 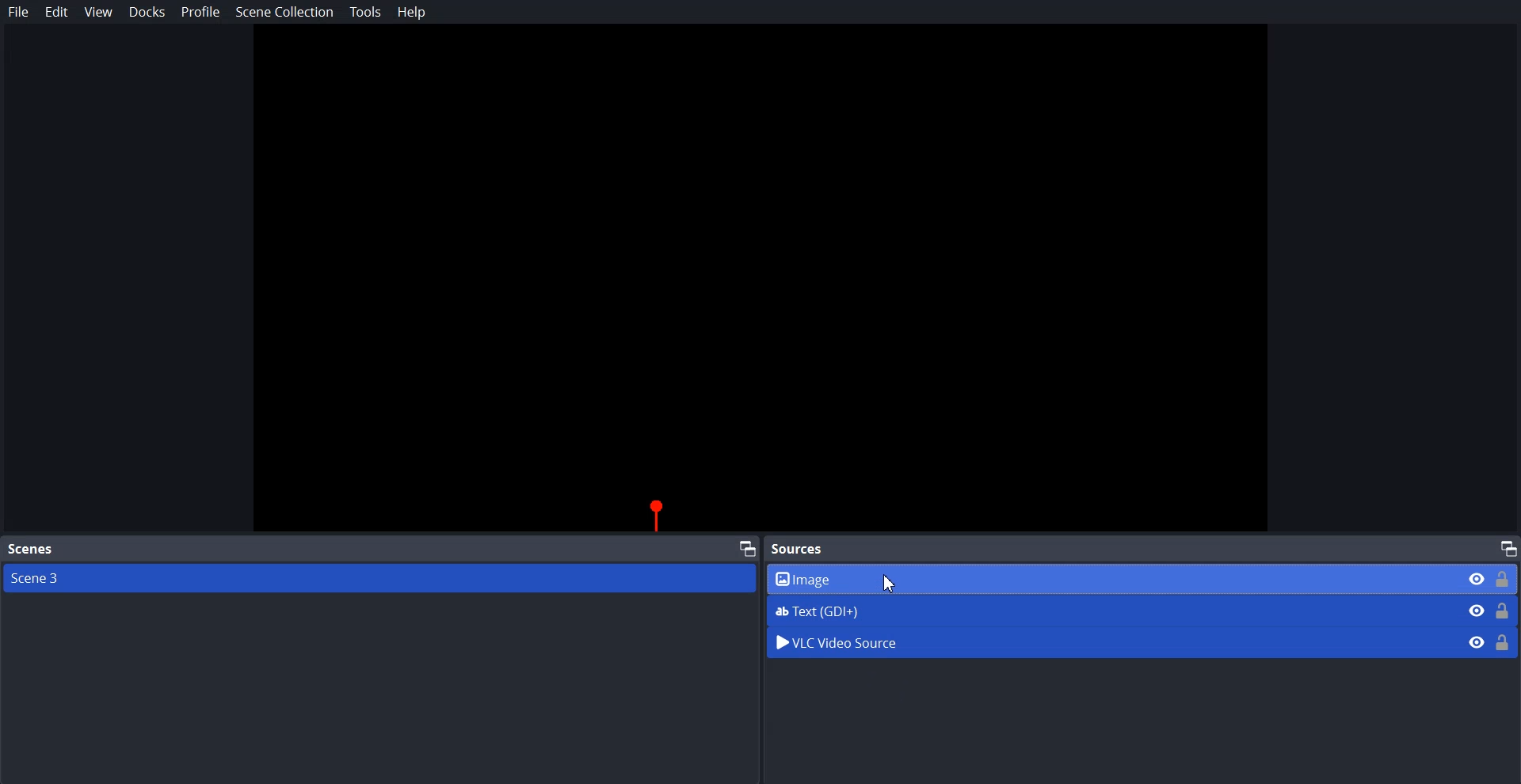 What do you see at coordinates (366, 12) in the screenshot?
I see `Tools` at bounding box center [366, 12].